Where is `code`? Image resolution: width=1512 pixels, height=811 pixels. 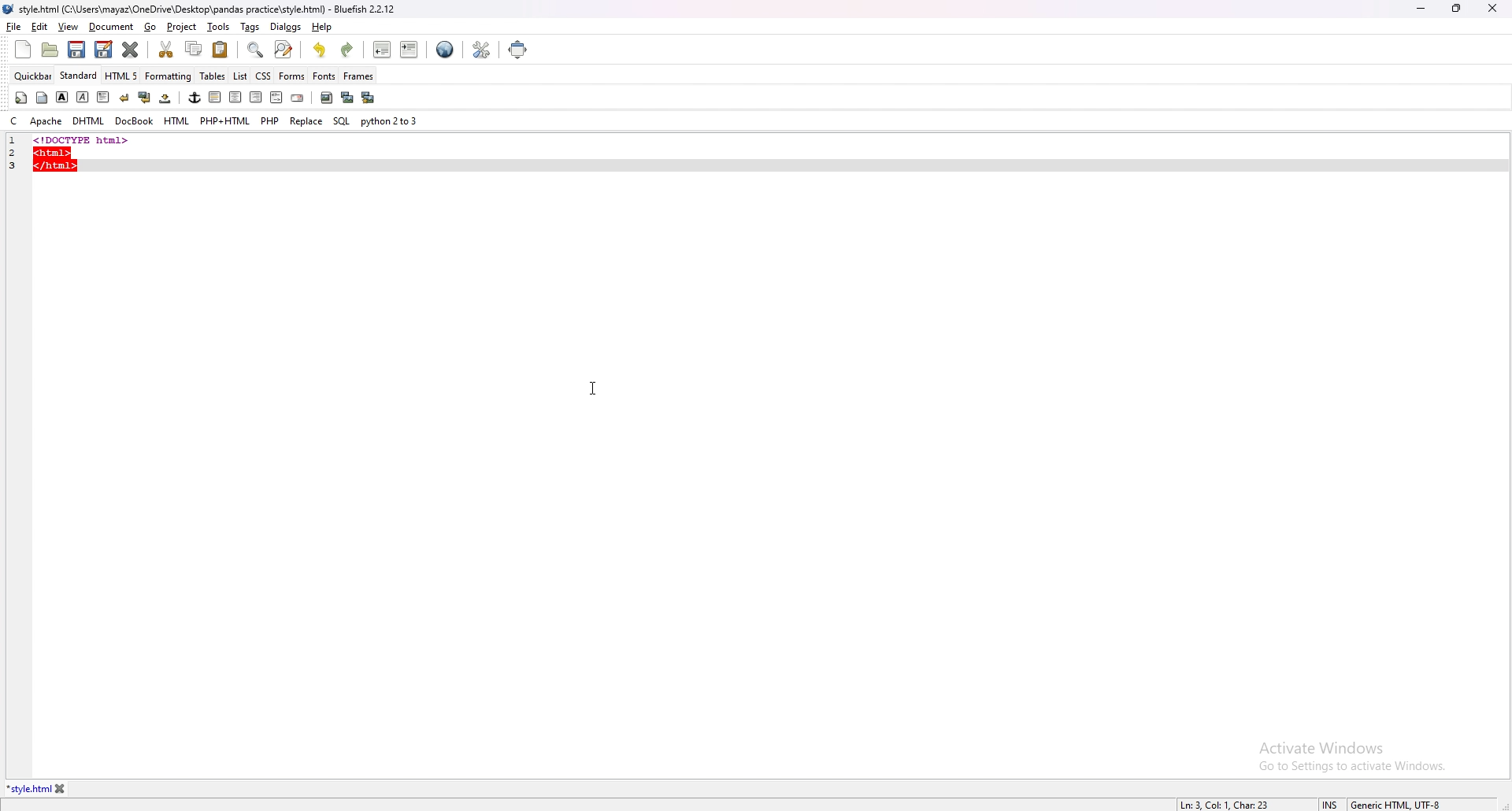
code is located at coordinates (128, 139).